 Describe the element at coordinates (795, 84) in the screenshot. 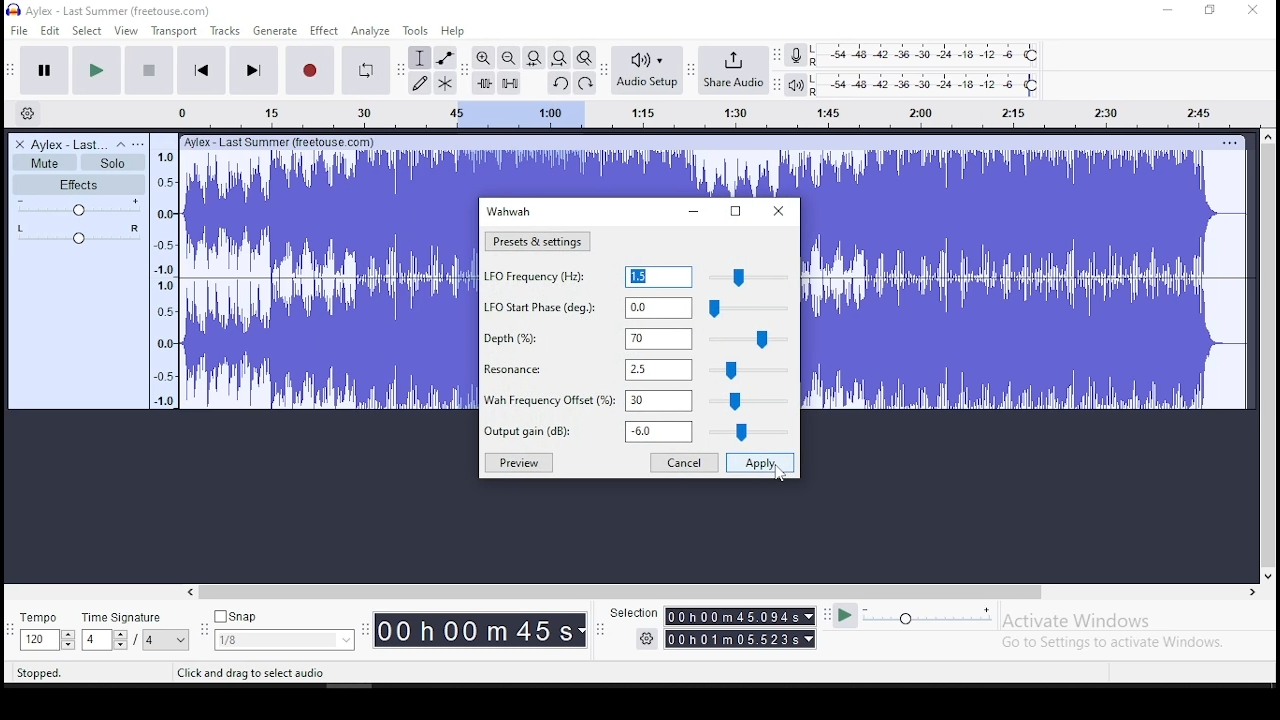

I see `playback meter` at that location.